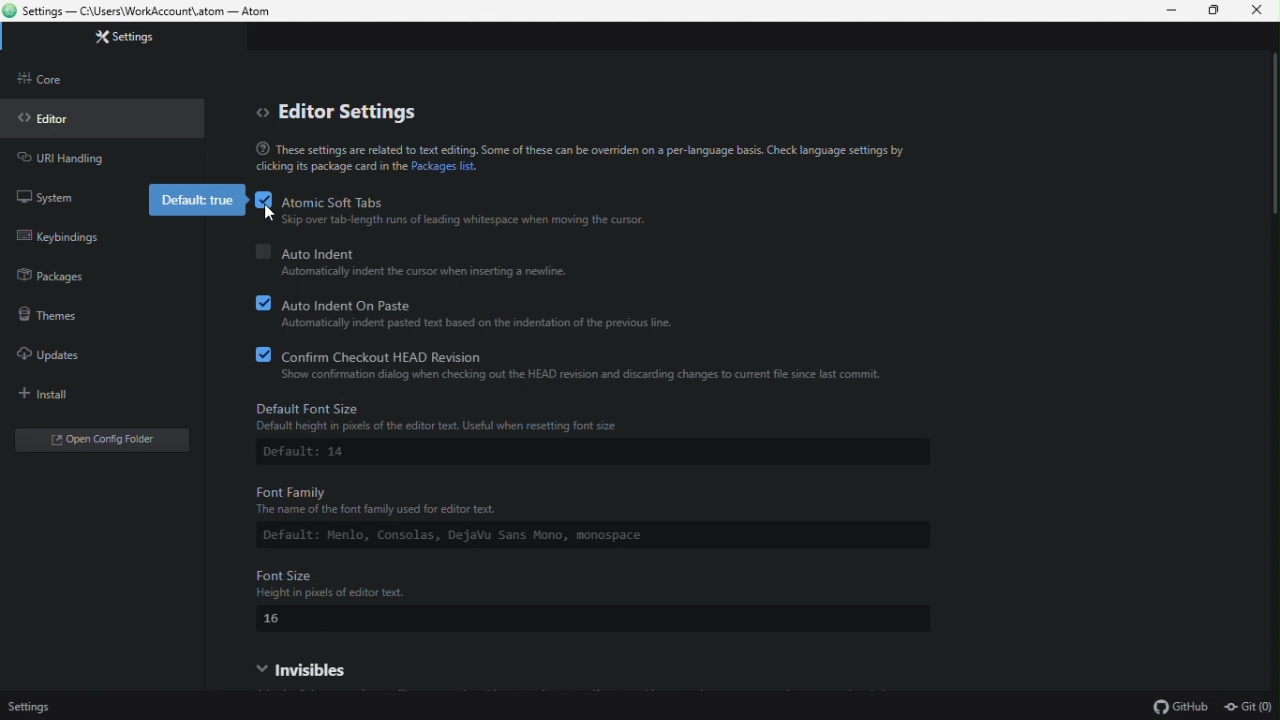 This screenshot has width=1280, height=720. What do you see at coordinates (1258, 13) in the screenshot?
I see `close` at bounding box center [1258, 13].